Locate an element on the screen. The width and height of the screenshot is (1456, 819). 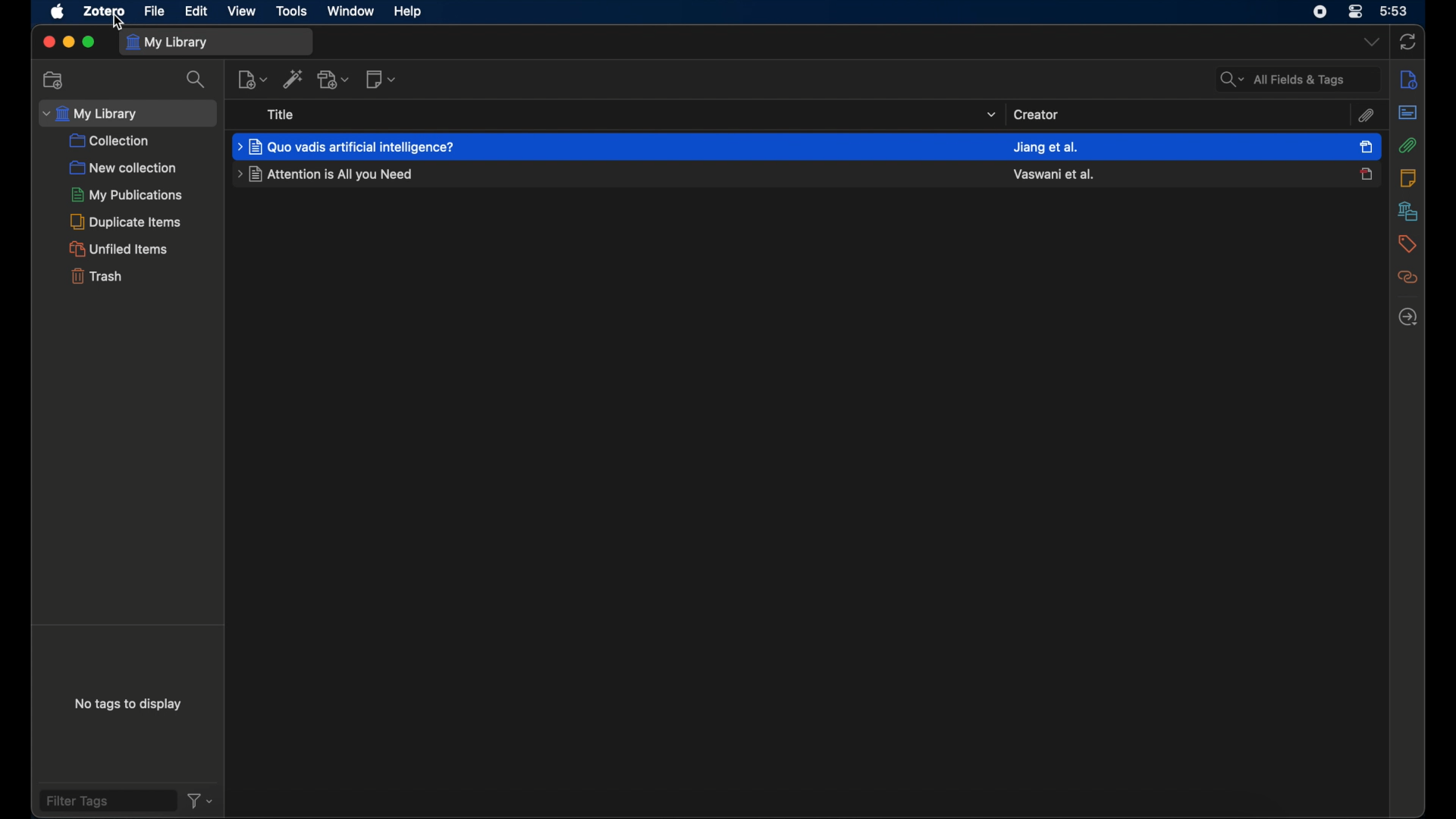
related is located at coordinates (1408, 277).